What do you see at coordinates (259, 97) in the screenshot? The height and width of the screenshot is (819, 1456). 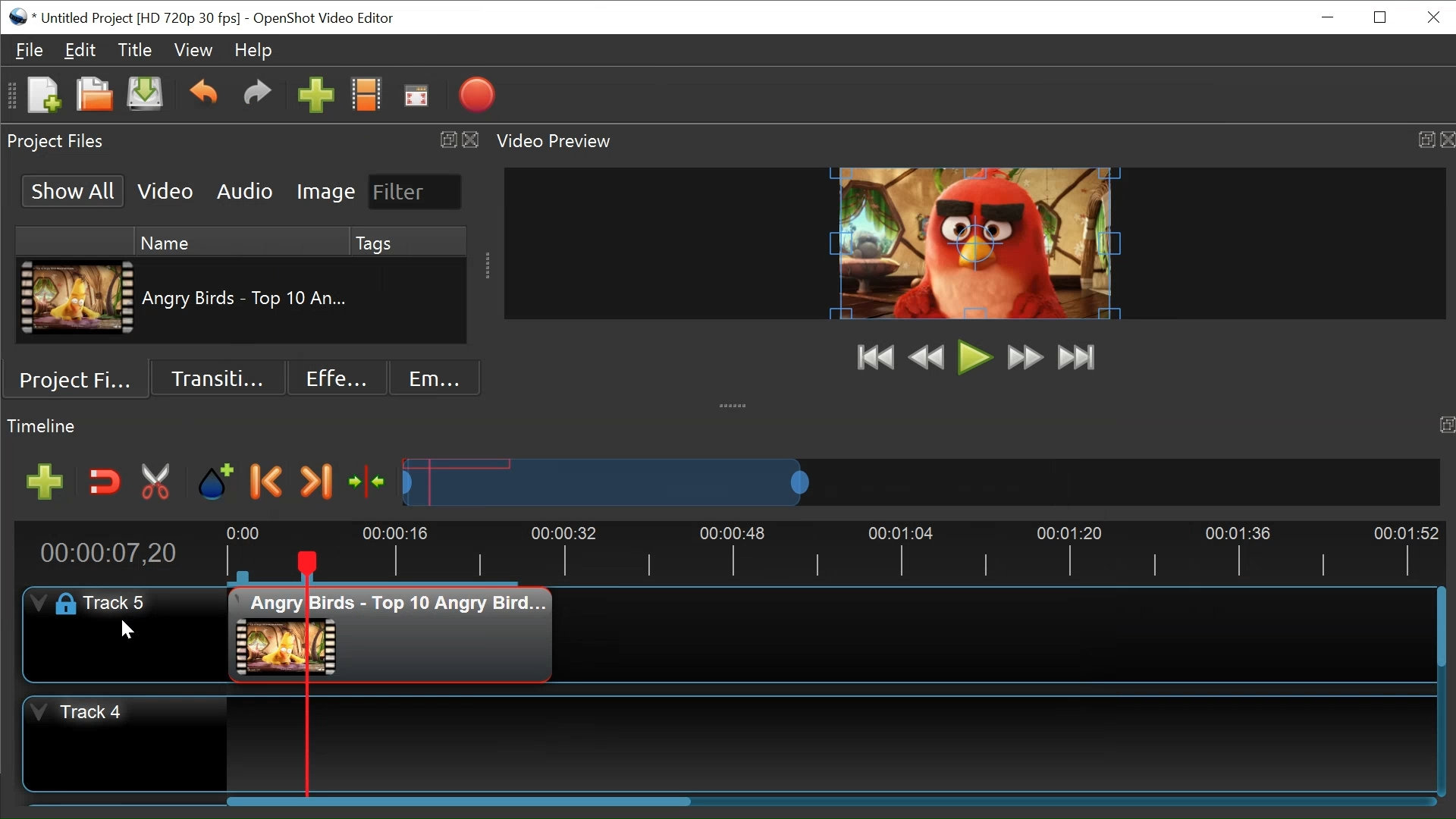 I see `Redo` at bounding box center [259, 97].